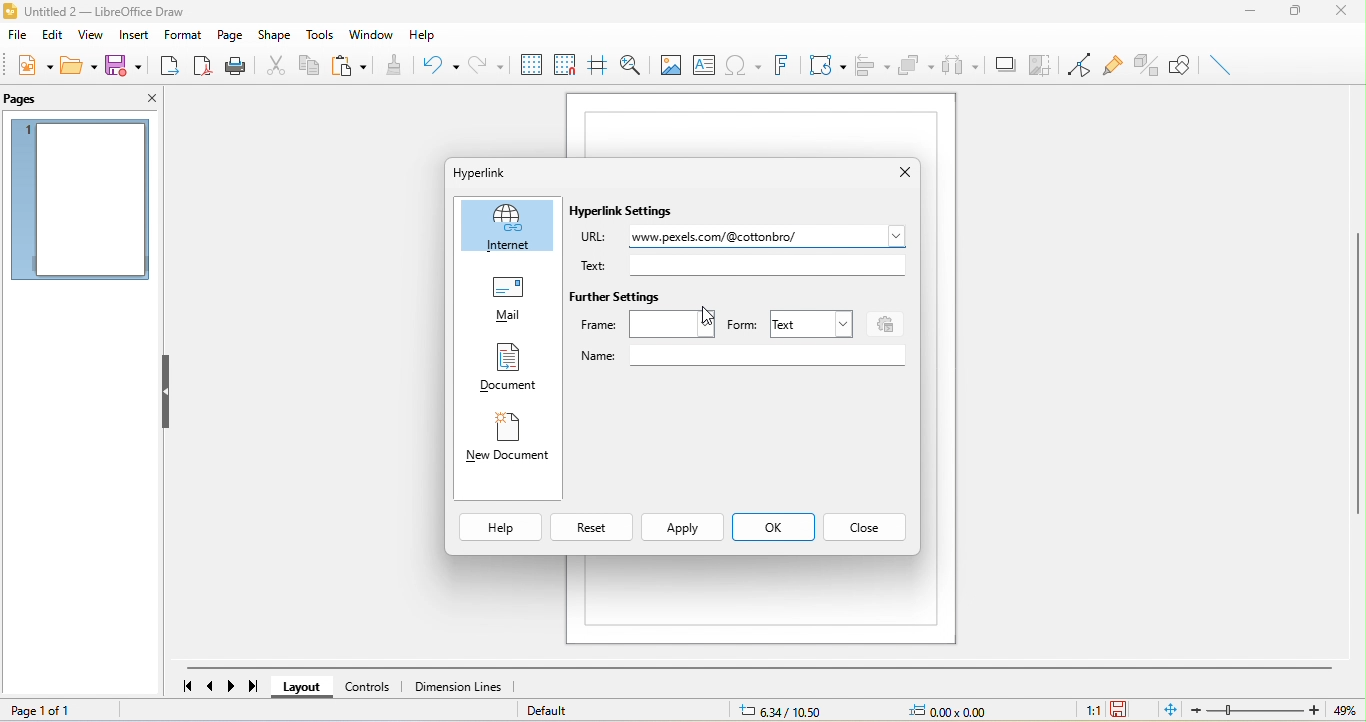 The width and height of the screenshot is (1366, 722). What do you see at coordinates (531, 64) in the screenshot?
I see `display grid` at bounding box center [531, 64].